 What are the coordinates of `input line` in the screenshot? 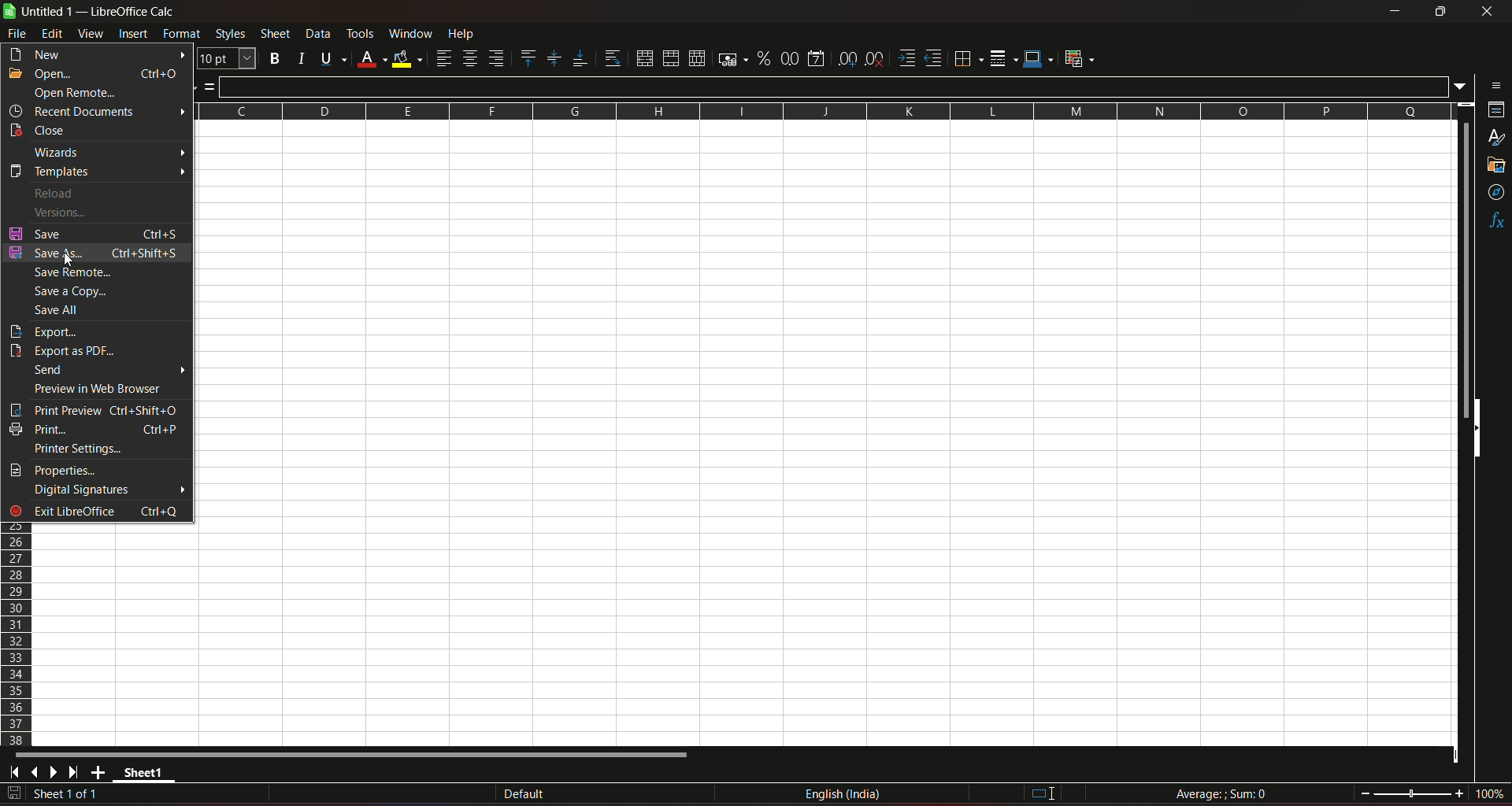 It's located at (835, 85).